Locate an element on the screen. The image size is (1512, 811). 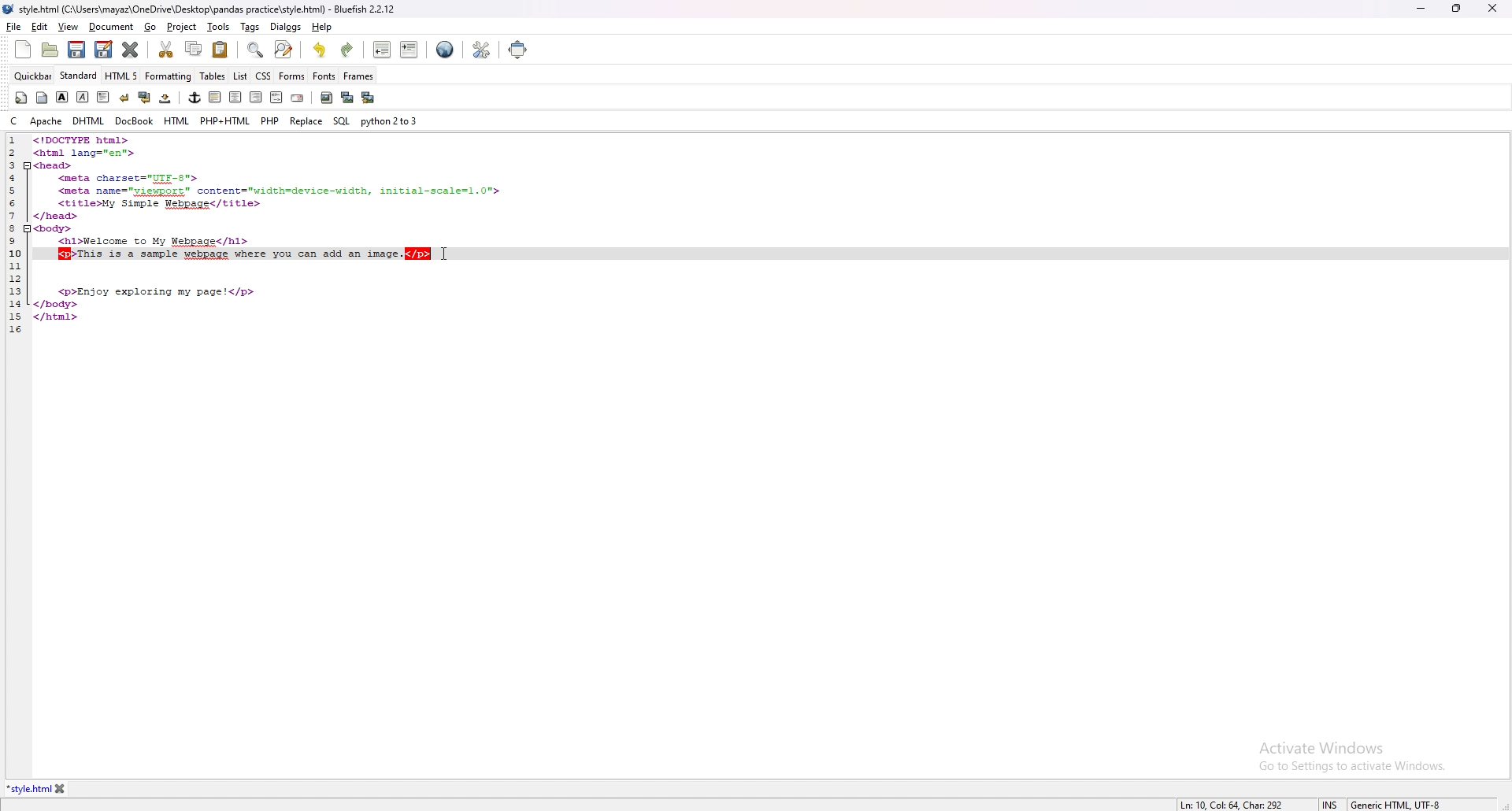
list is located at coordinates (240, 77).